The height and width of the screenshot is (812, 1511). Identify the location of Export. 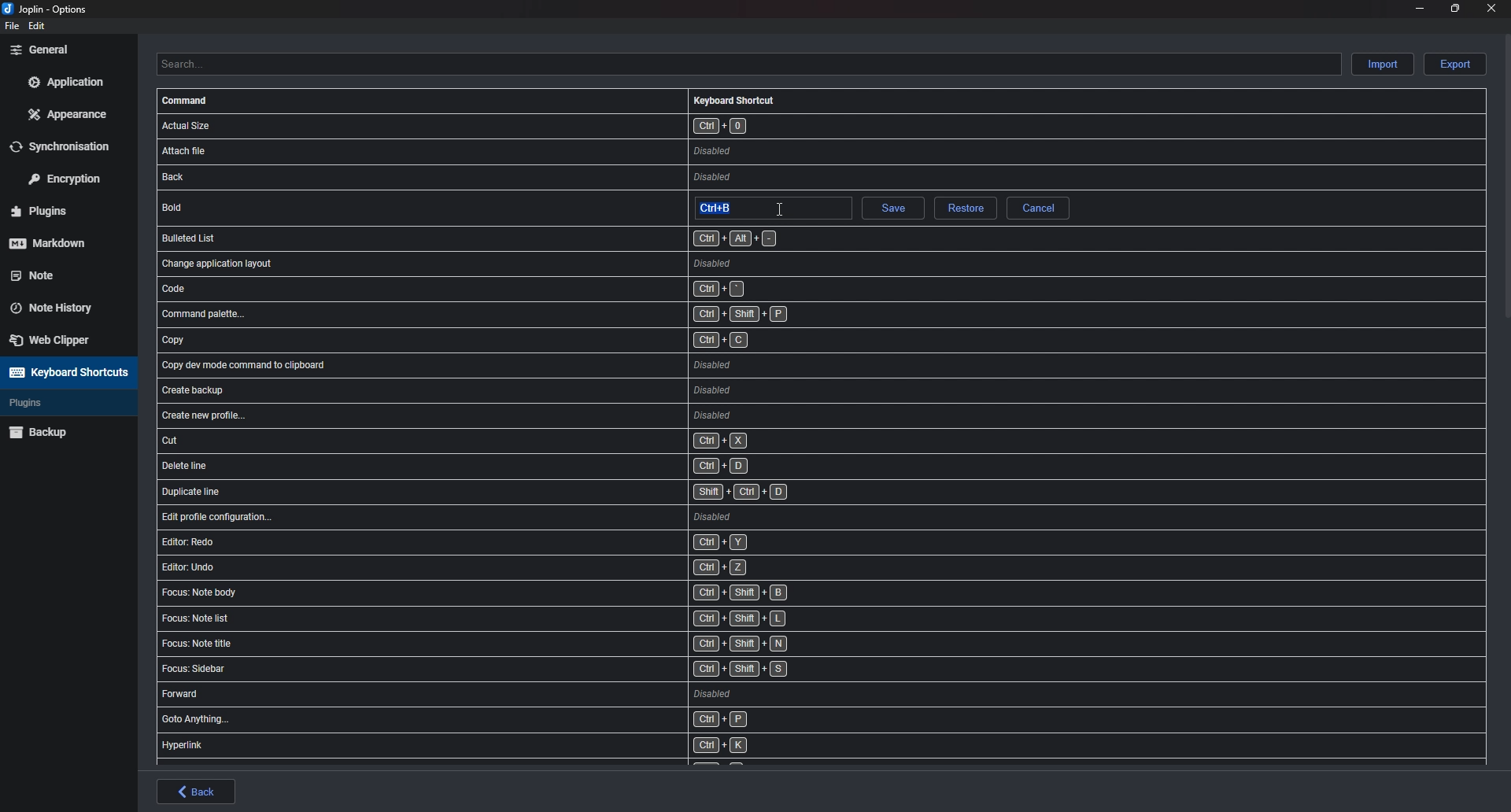
(1455, 65).